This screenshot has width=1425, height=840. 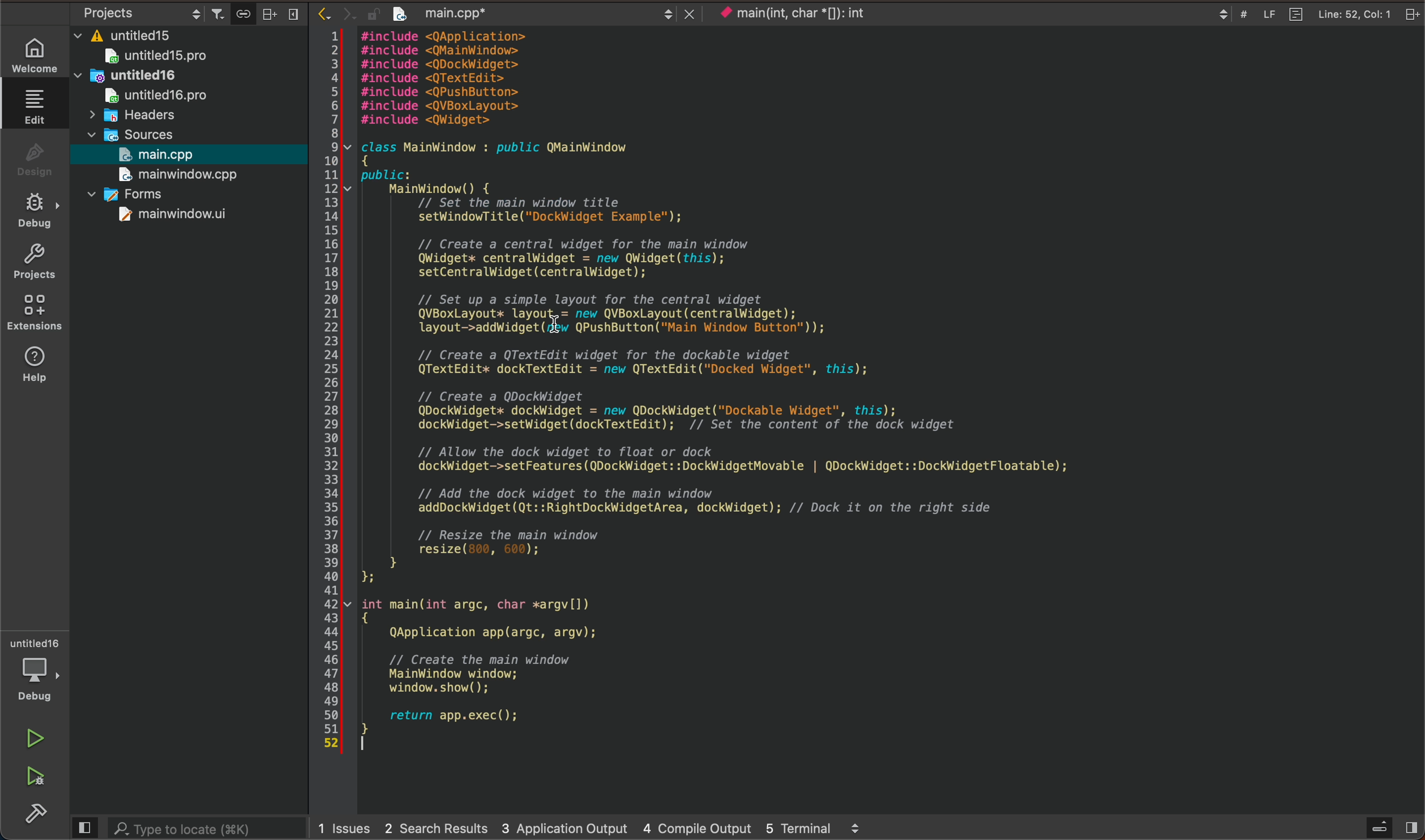 I want to click on files and folders, so click(x=193, y=36).